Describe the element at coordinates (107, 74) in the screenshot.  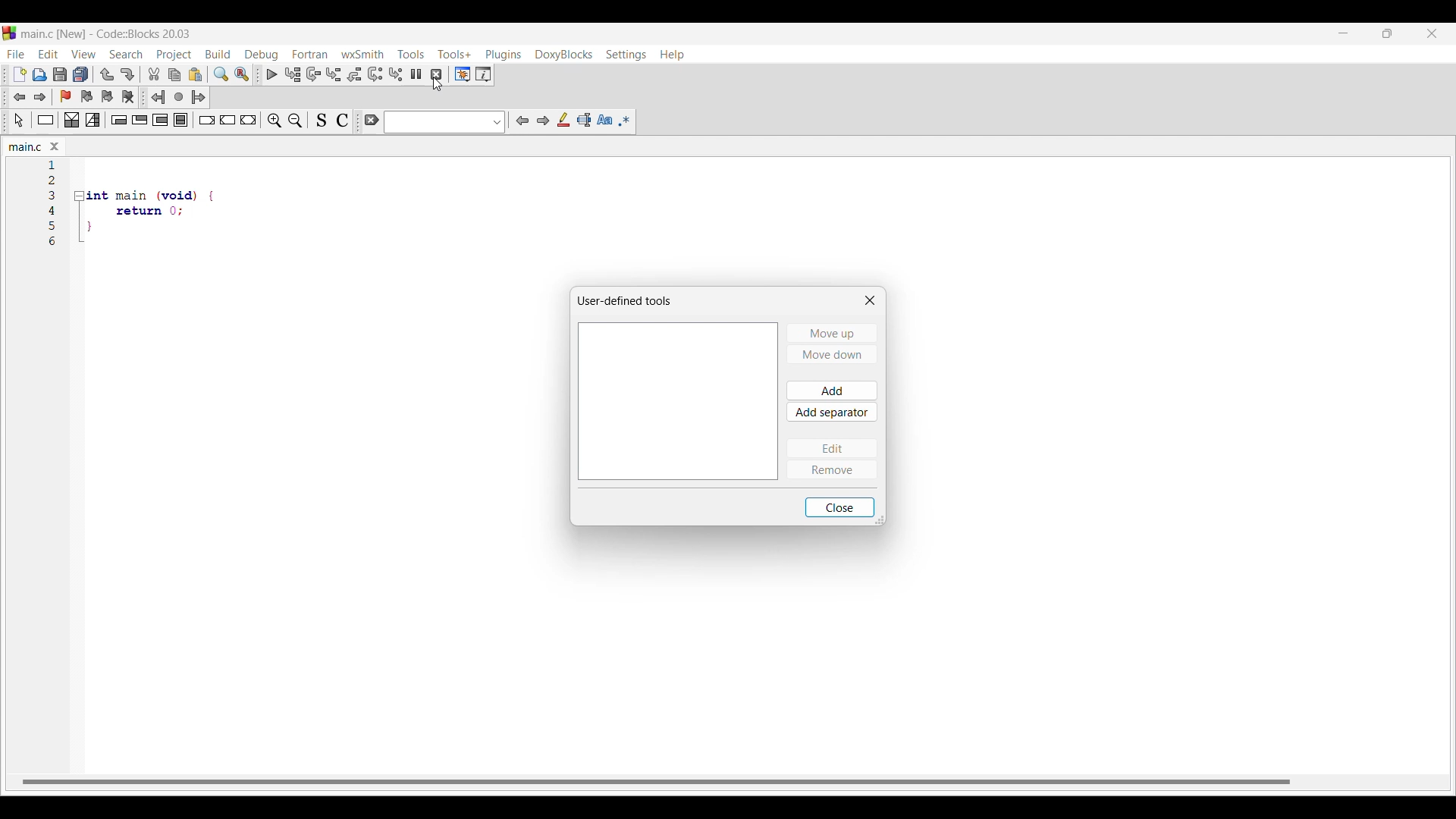
I see `Undo` at that location.